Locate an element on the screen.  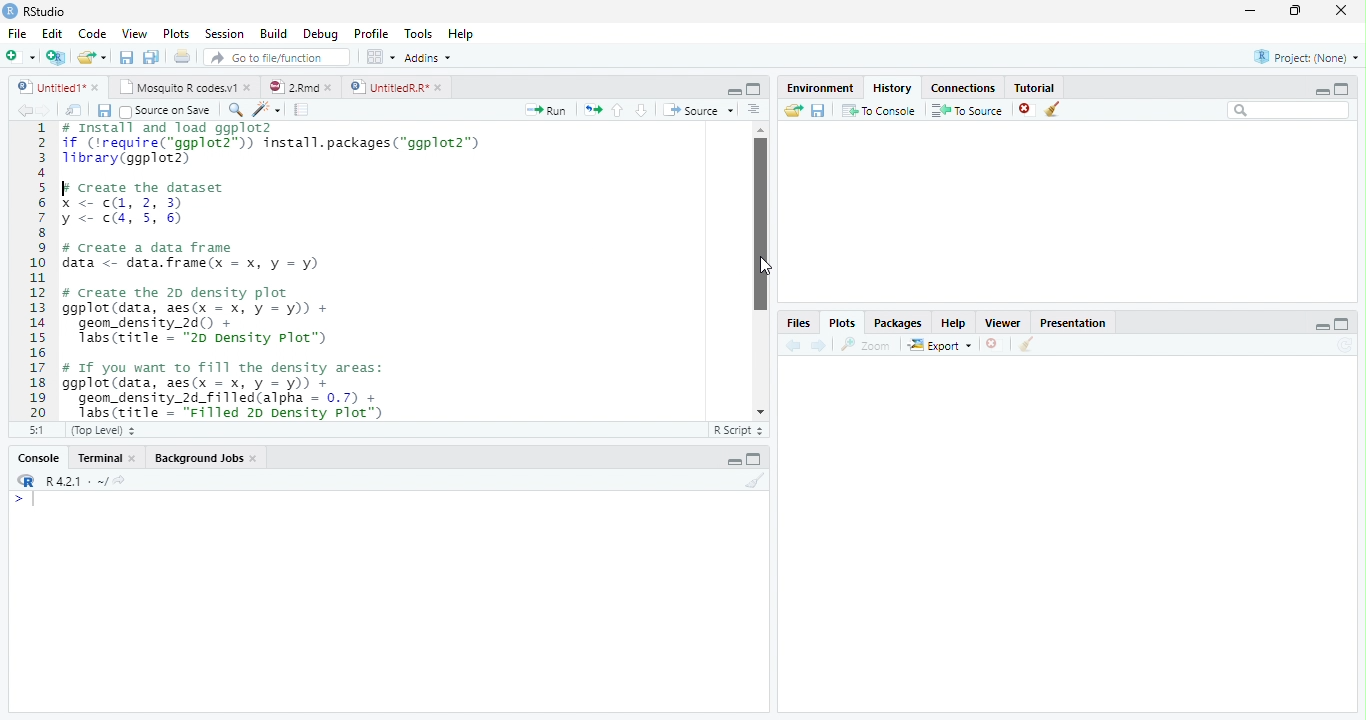
Load workspace is located at coordinates (791, 111).